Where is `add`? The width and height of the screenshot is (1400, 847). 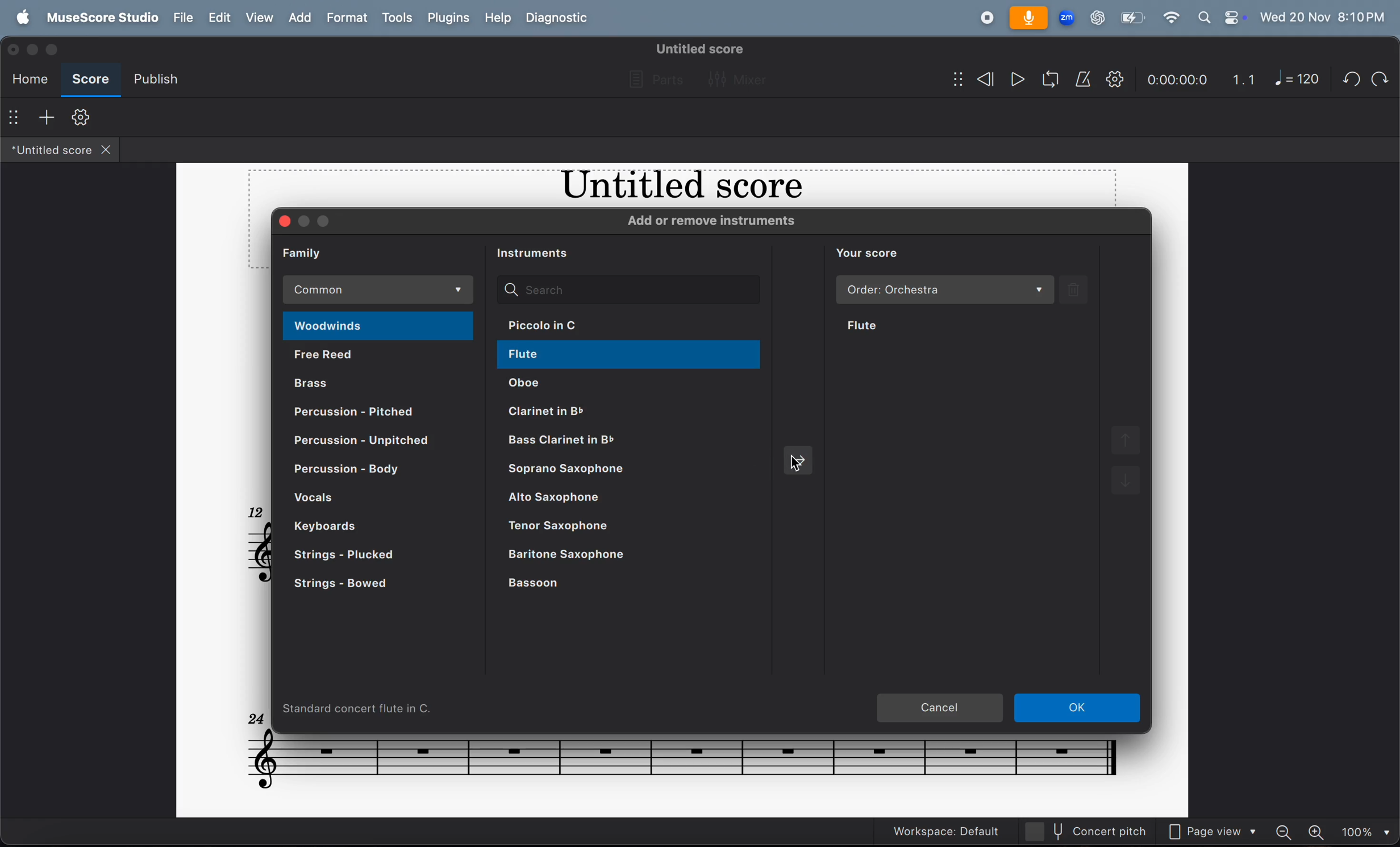 add is located at coordinates (48, 117).